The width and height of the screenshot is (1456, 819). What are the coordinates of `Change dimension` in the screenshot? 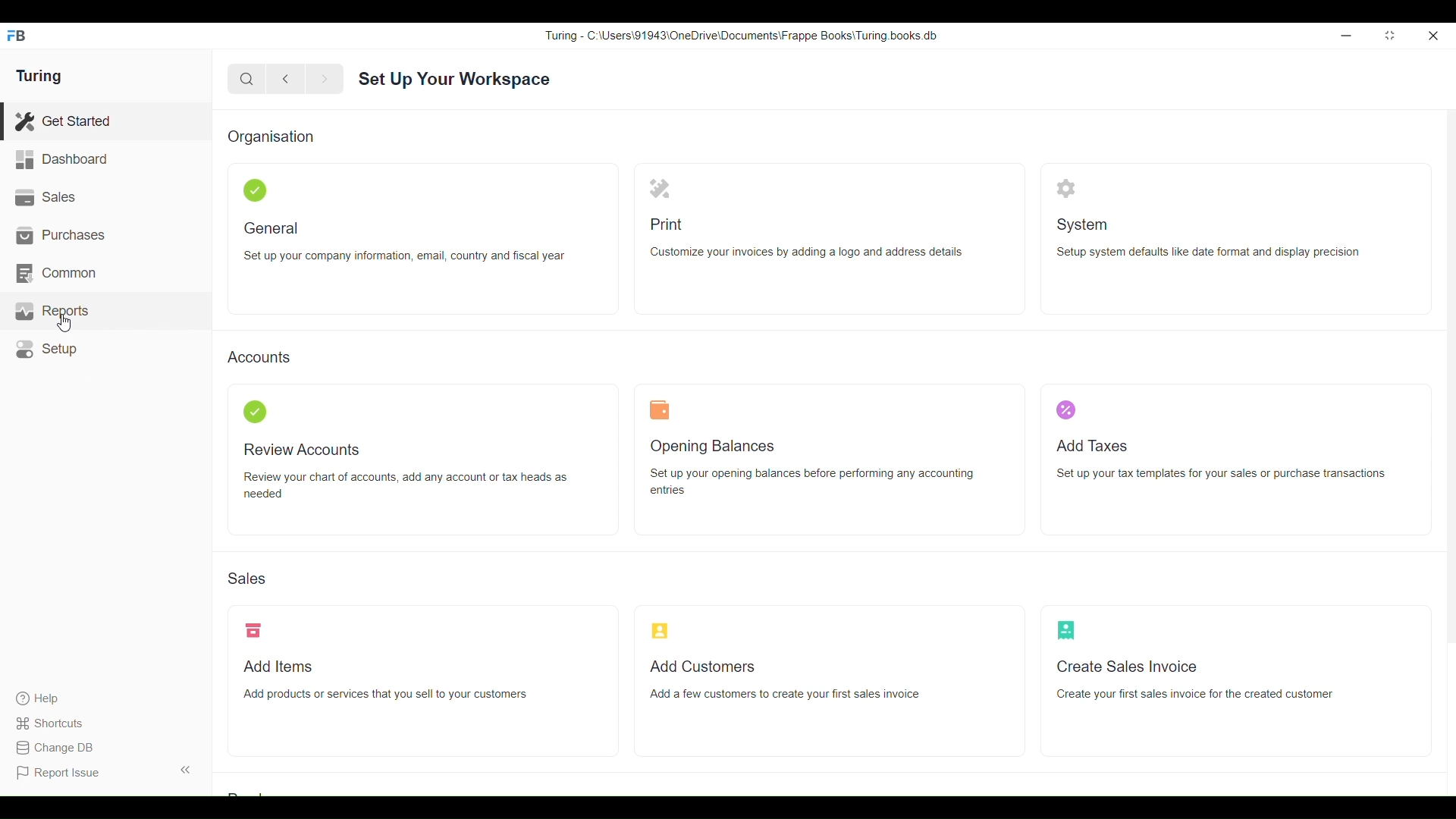 It's located at (1390, 36).